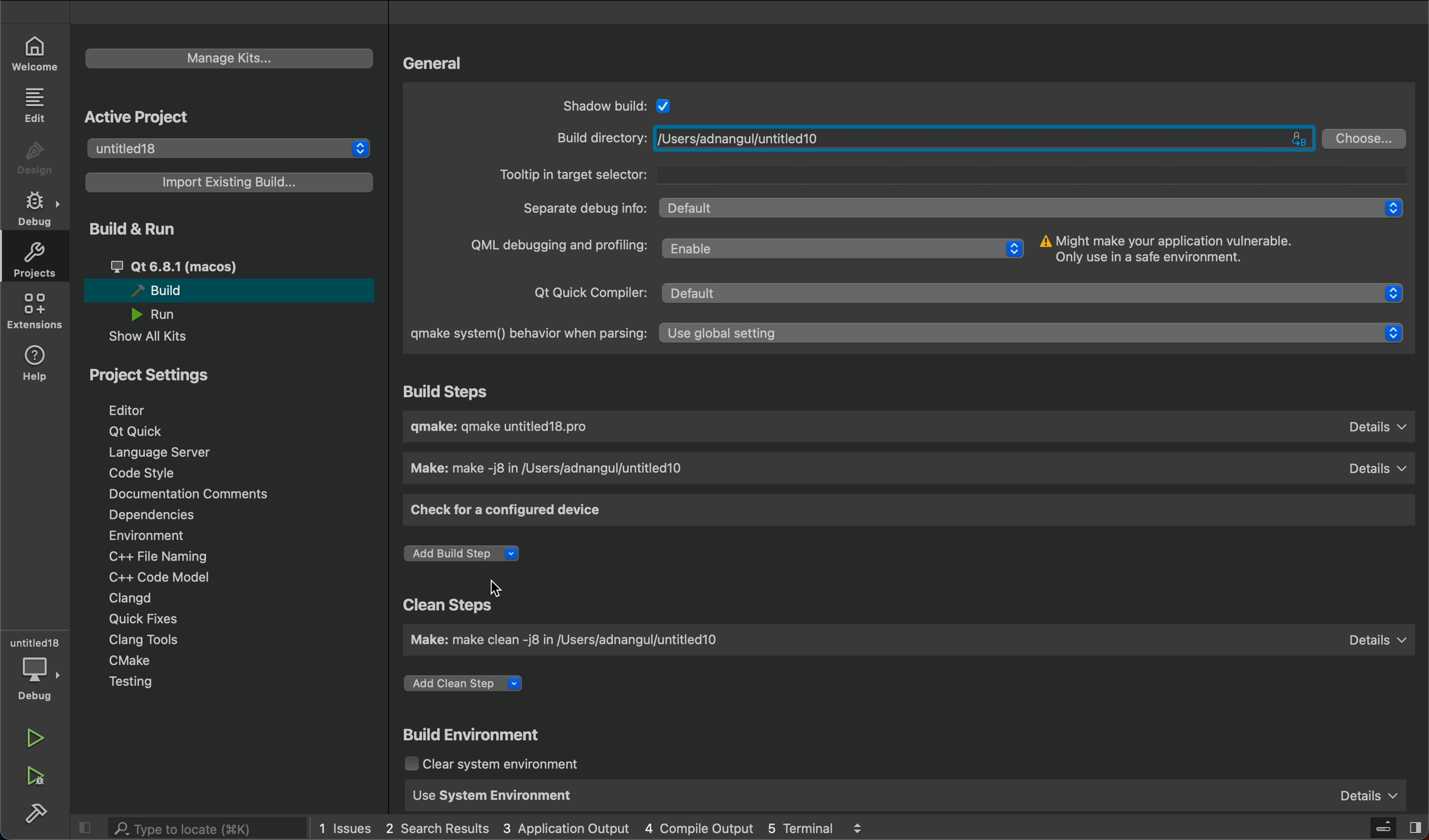  Describe the element at coordinates (134, 599) in the screenshot. I see `Clangd` at that location.